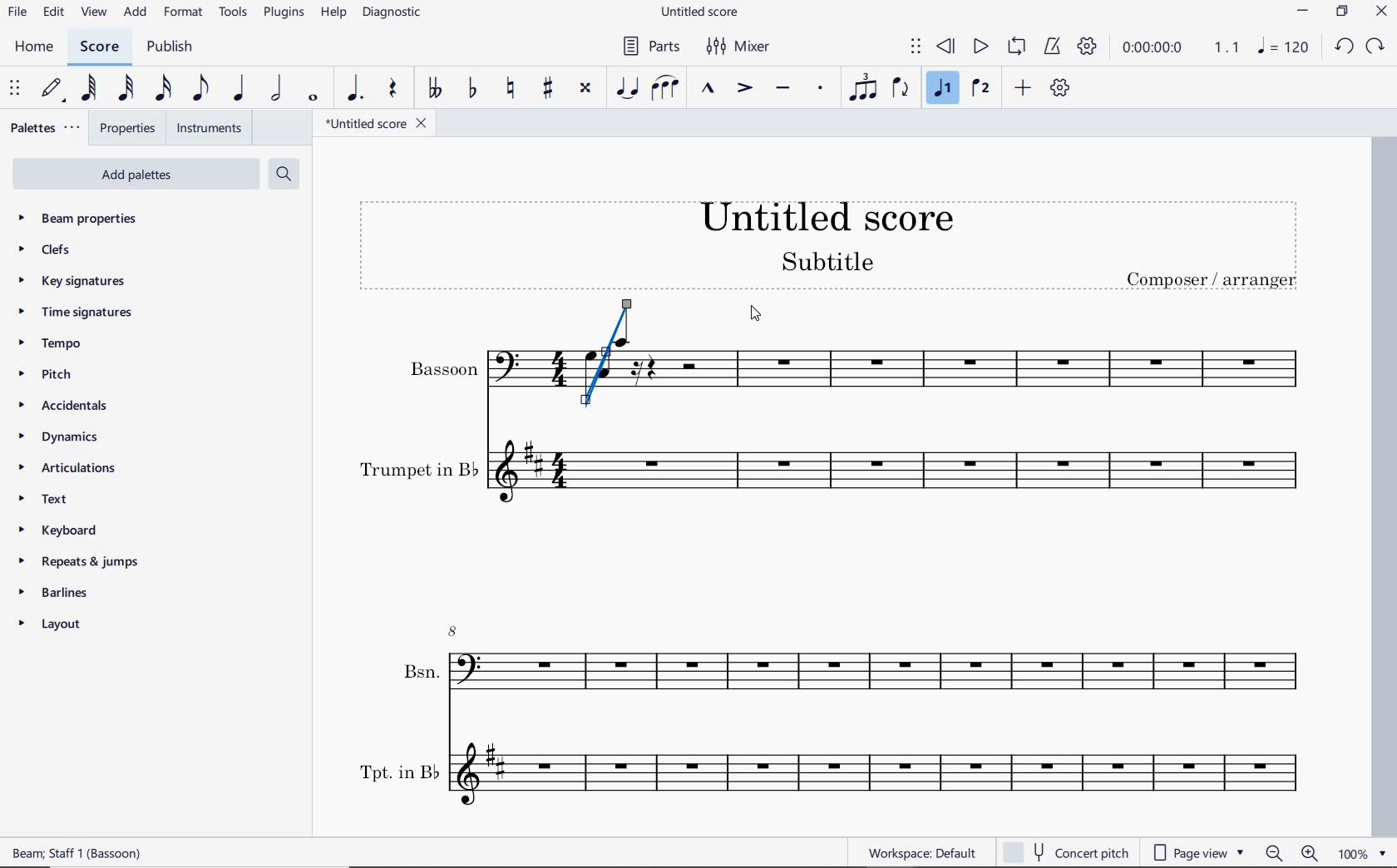  Describe the element at coordinates (666, 87) in the screenshot. I see `slur` at that location.